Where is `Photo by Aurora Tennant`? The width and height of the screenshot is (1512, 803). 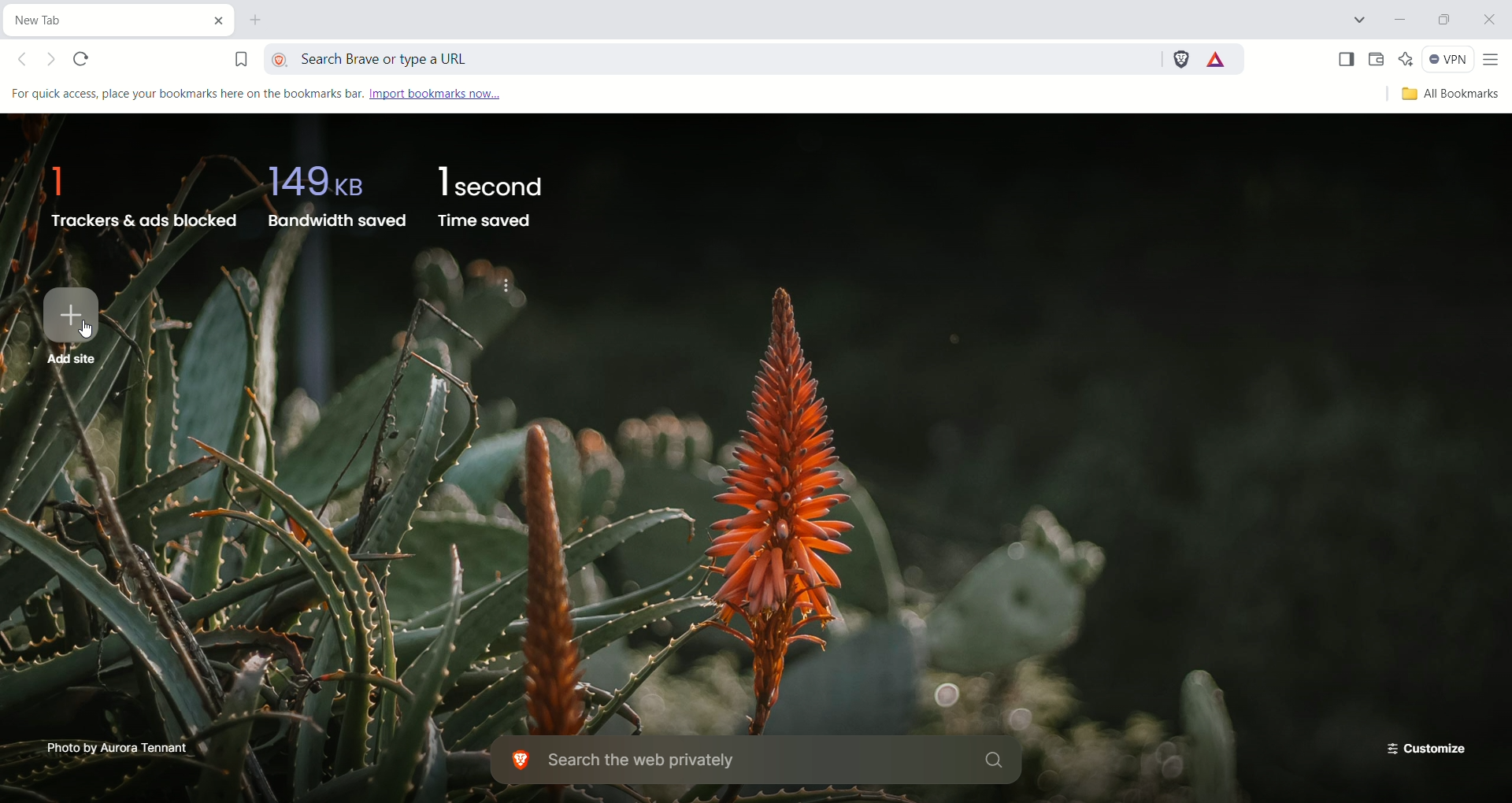
Photo by Aurora Tennant is located at coordinates (119, 748).